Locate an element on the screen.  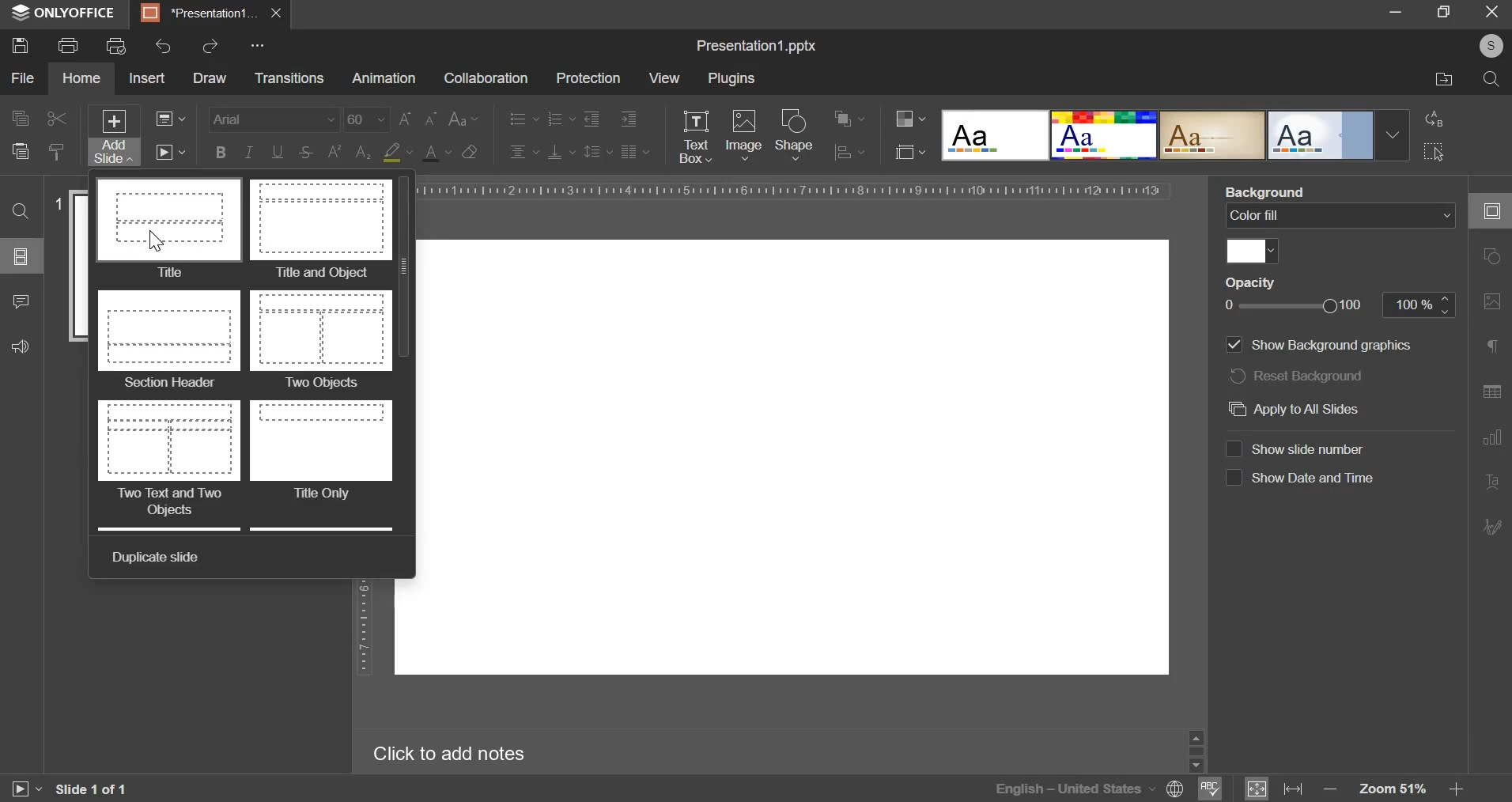
show background graphics is located at coordinates (1318, 344).